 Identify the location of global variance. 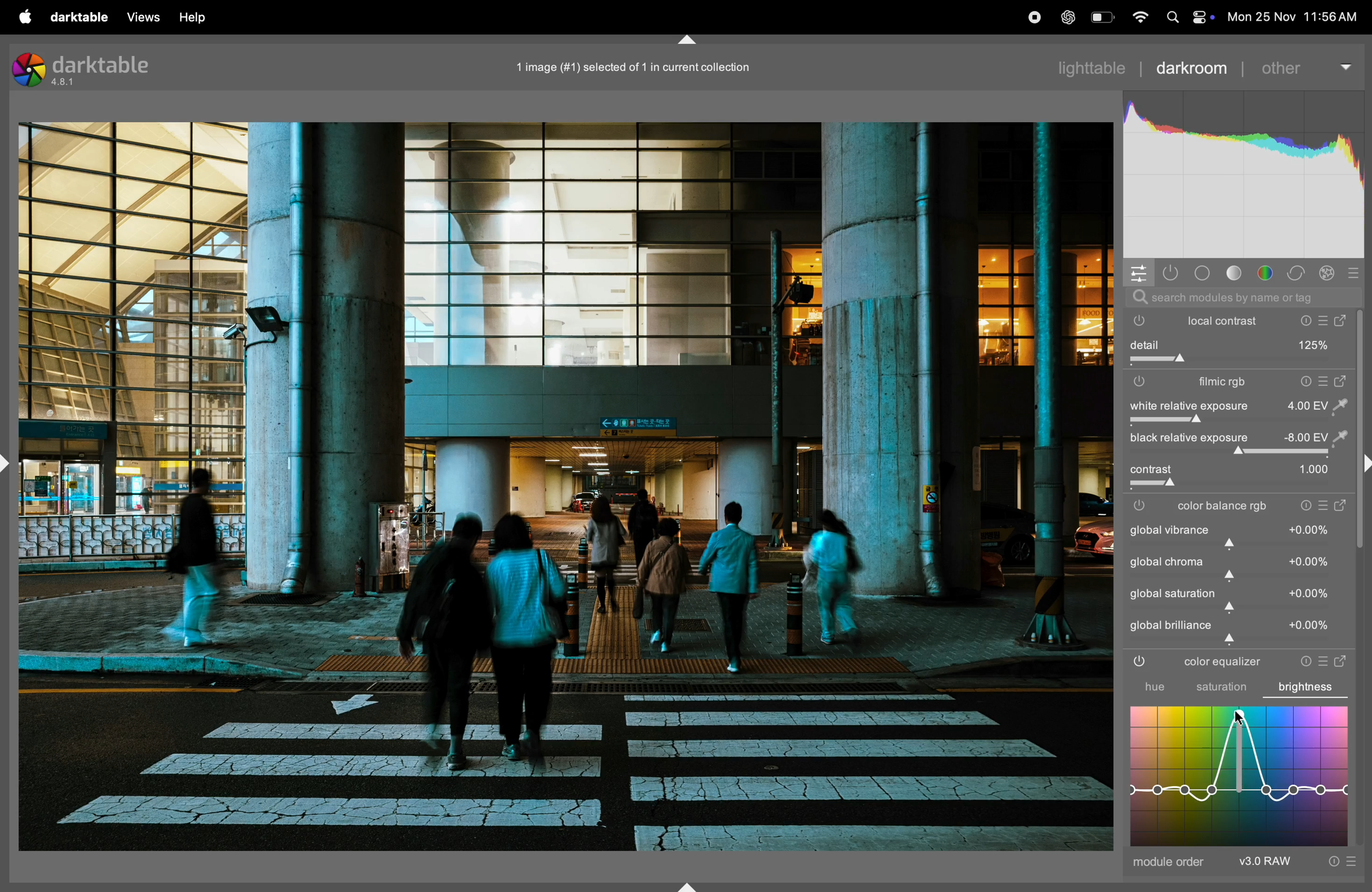
(1170, 530).